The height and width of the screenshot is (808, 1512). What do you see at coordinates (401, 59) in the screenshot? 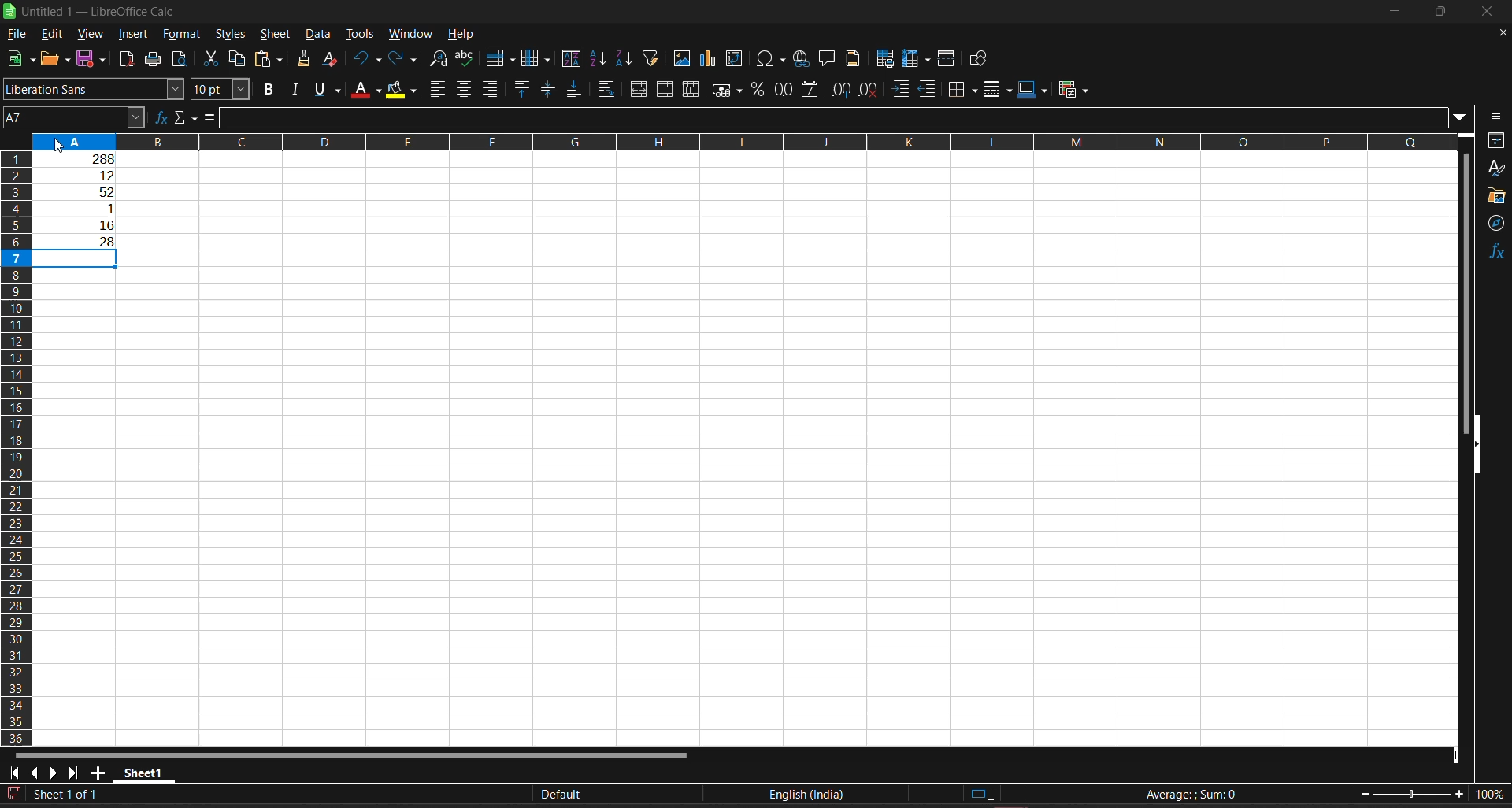
I see `redo` at bounding box center [401, 59].